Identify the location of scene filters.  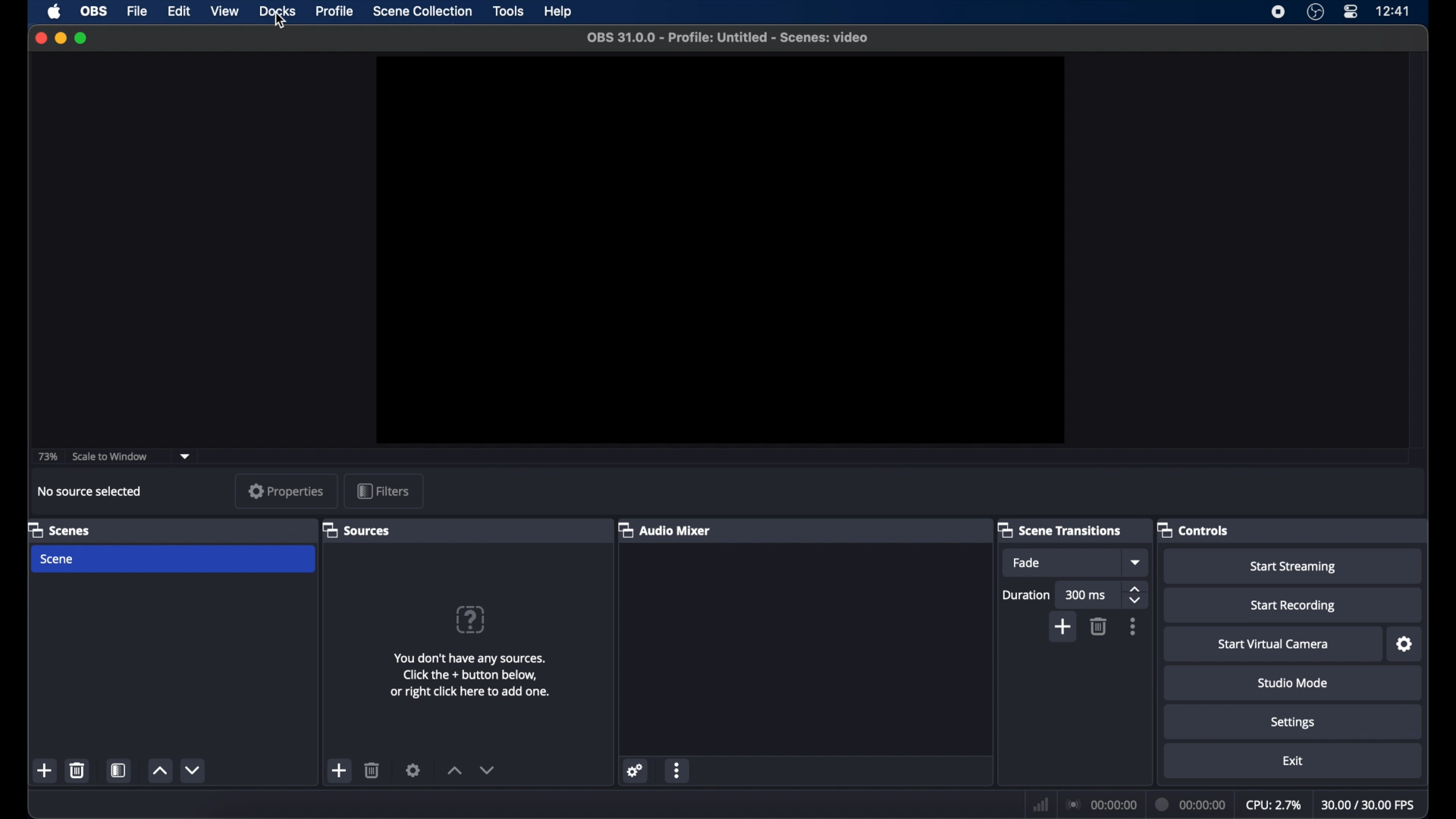
(119, 770).